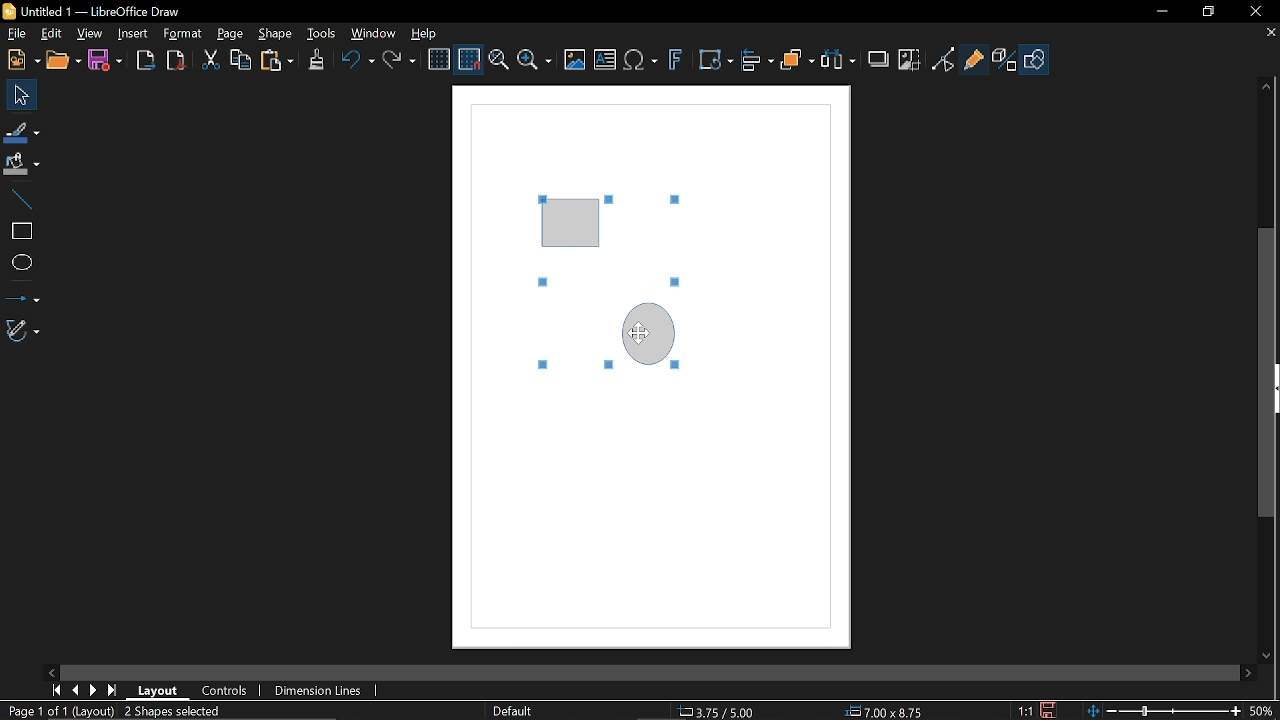  I want to click on Scaling factor, so click(1023, 711).